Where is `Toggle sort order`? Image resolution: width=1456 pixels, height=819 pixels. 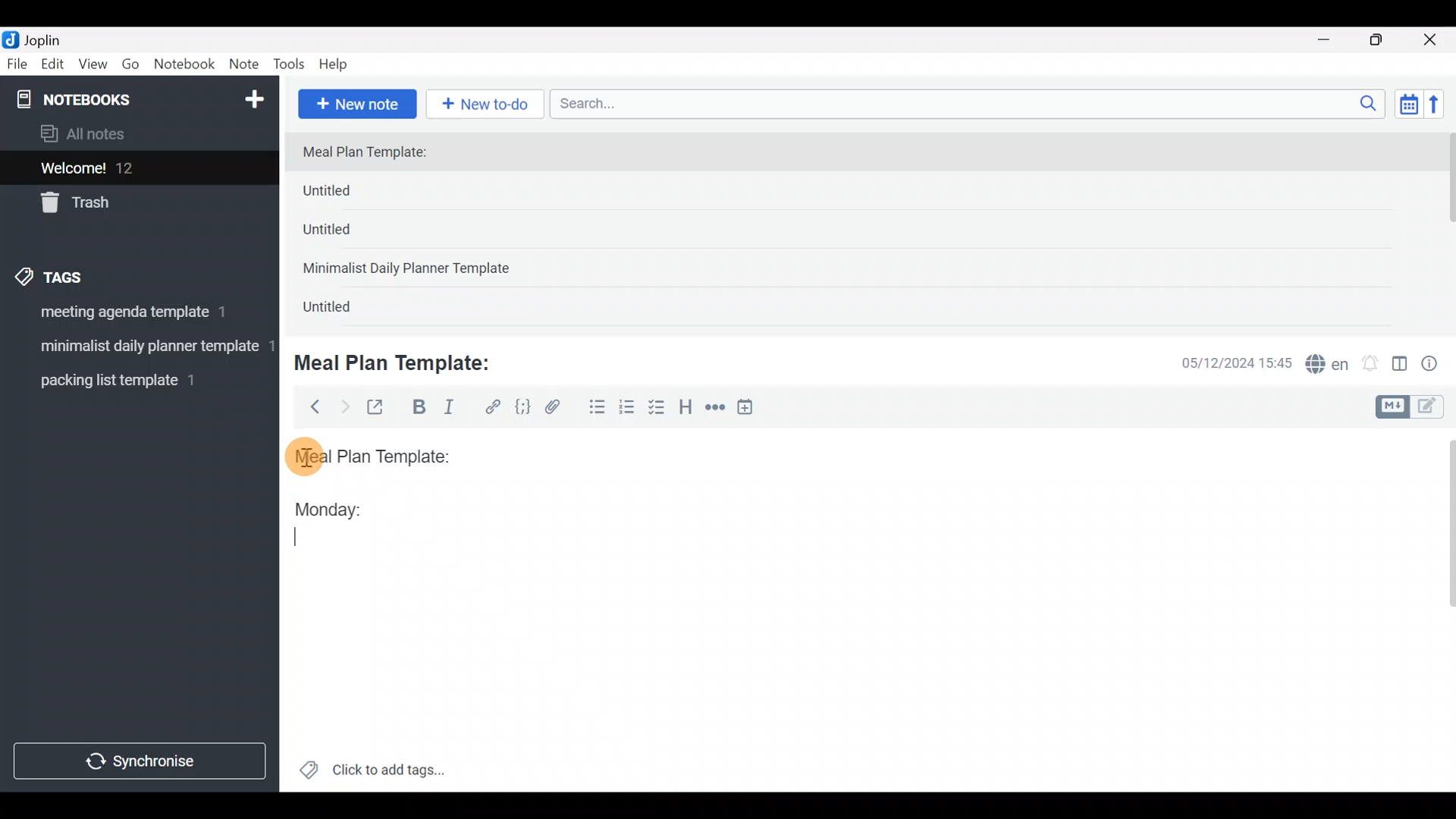
Toggle sort order is located at coordinates (1408, 105).